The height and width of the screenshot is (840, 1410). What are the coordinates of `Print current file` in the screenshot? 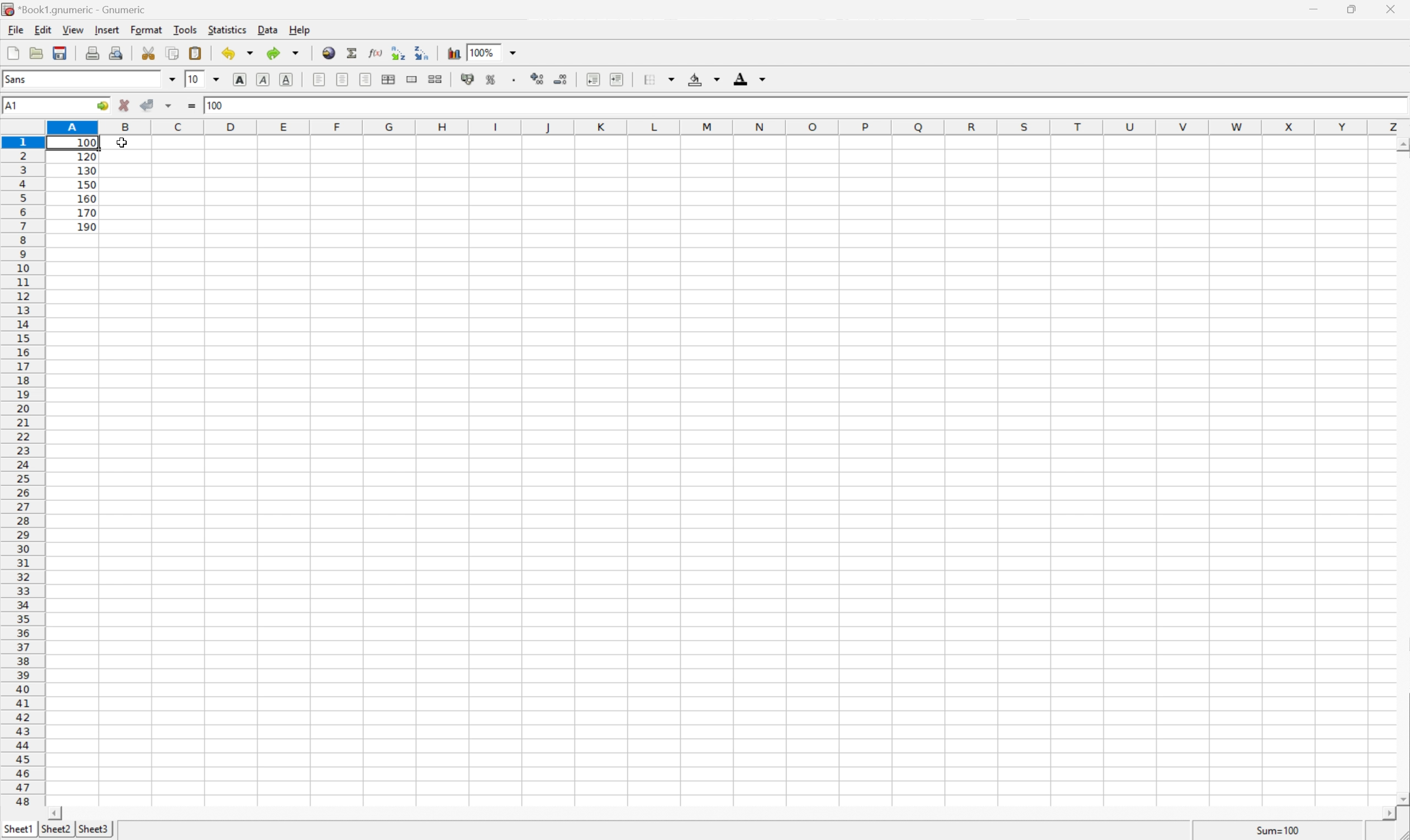 It's located at (93, 52).